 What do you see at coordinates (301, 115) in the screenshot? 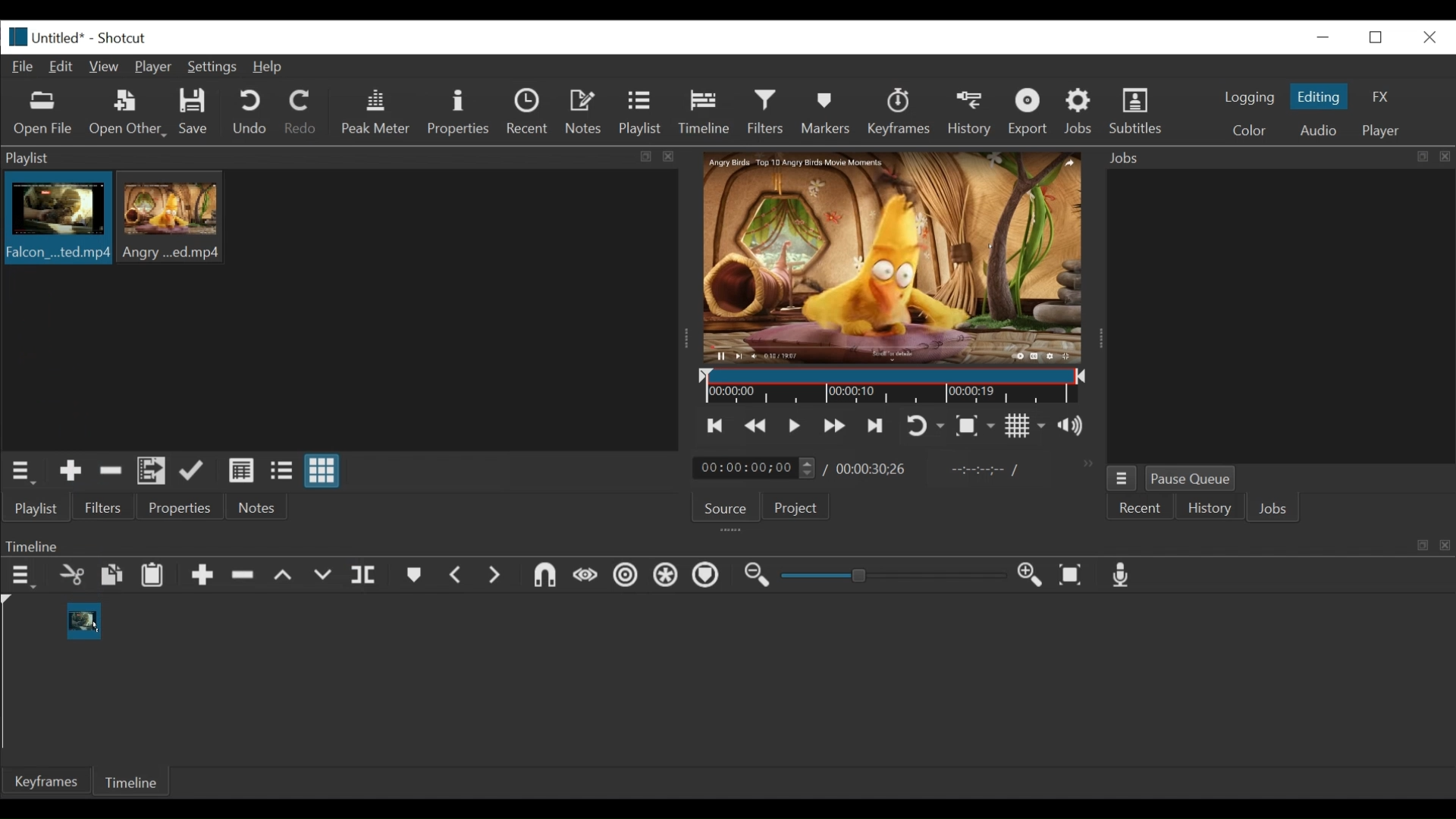
I see `Redo` at bounding box center [301, 115].